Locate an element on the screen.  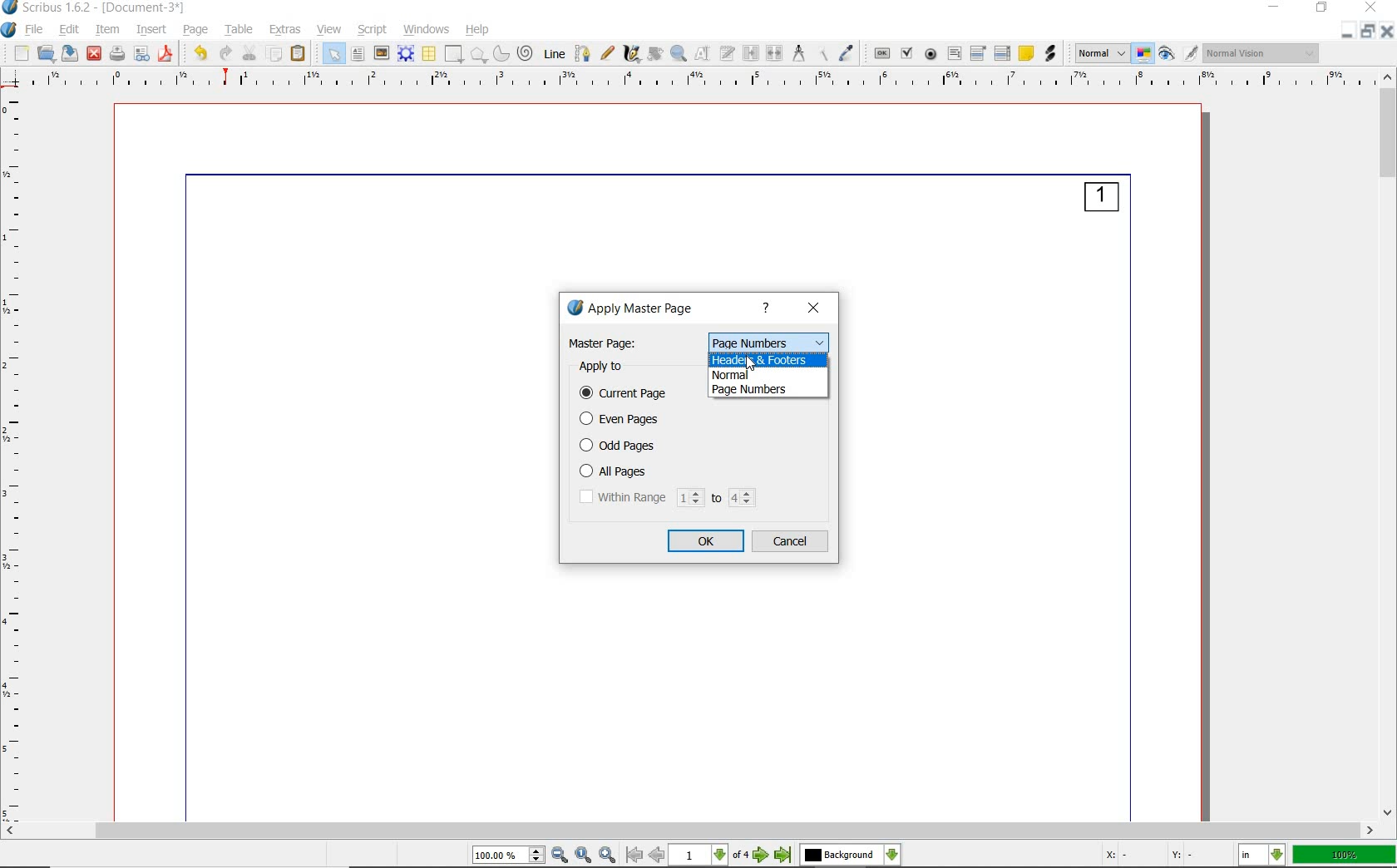
windows is located at coordinates (427, 31).